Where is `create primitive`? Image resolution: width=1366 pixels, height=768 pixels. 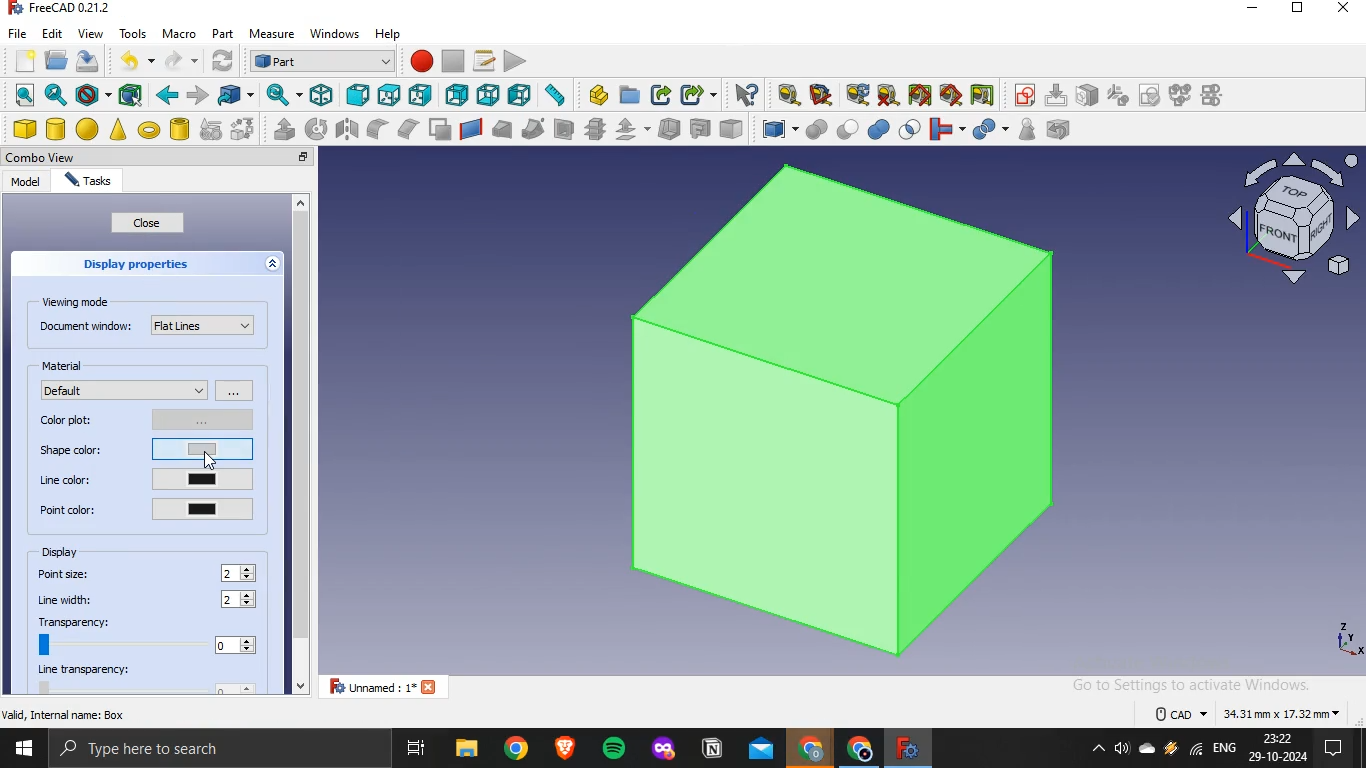
create primitive is located at coordinates (211, 129).